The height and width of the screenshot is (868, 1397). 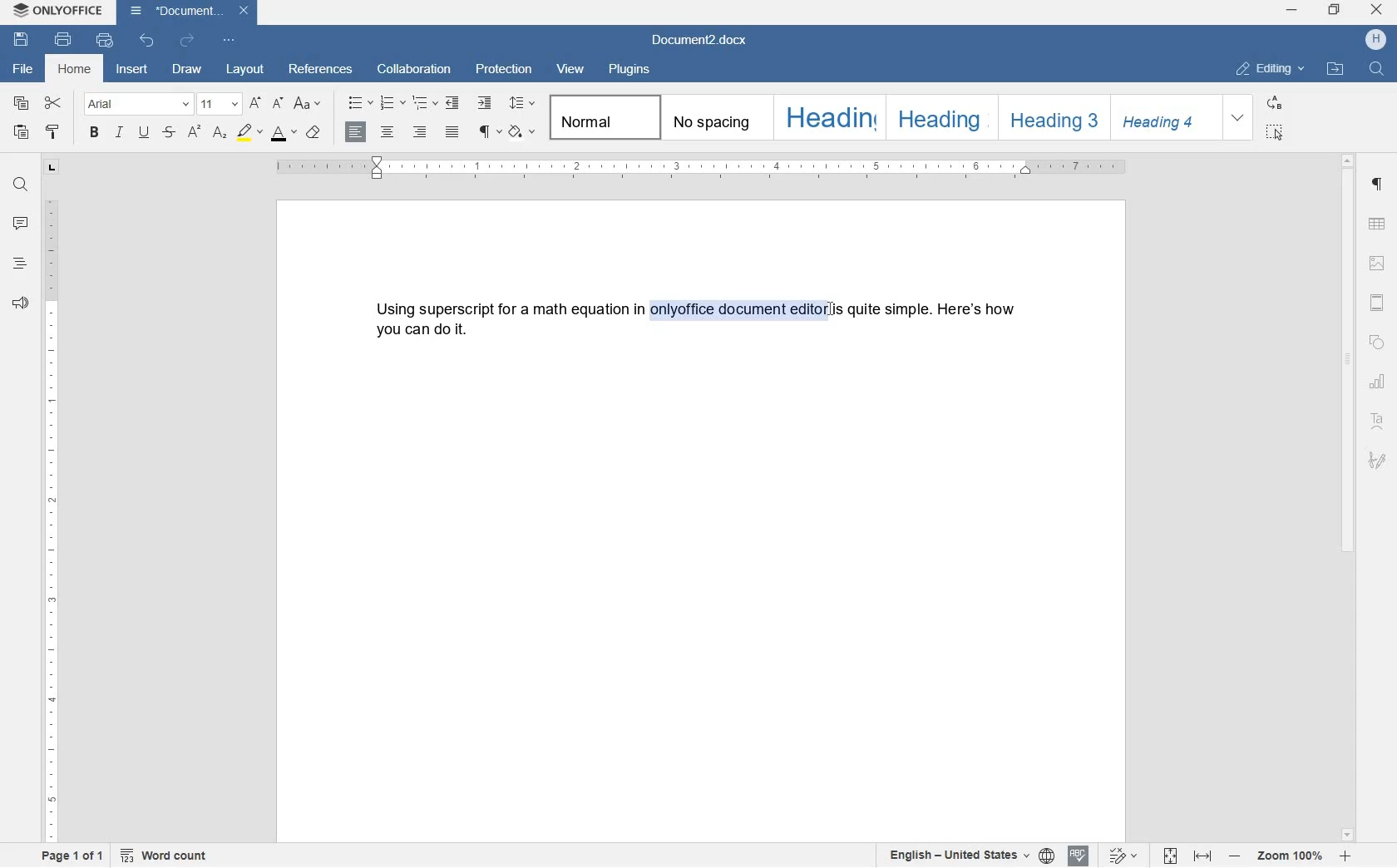 I want to click on spell check, so click(x=1077, y=856).